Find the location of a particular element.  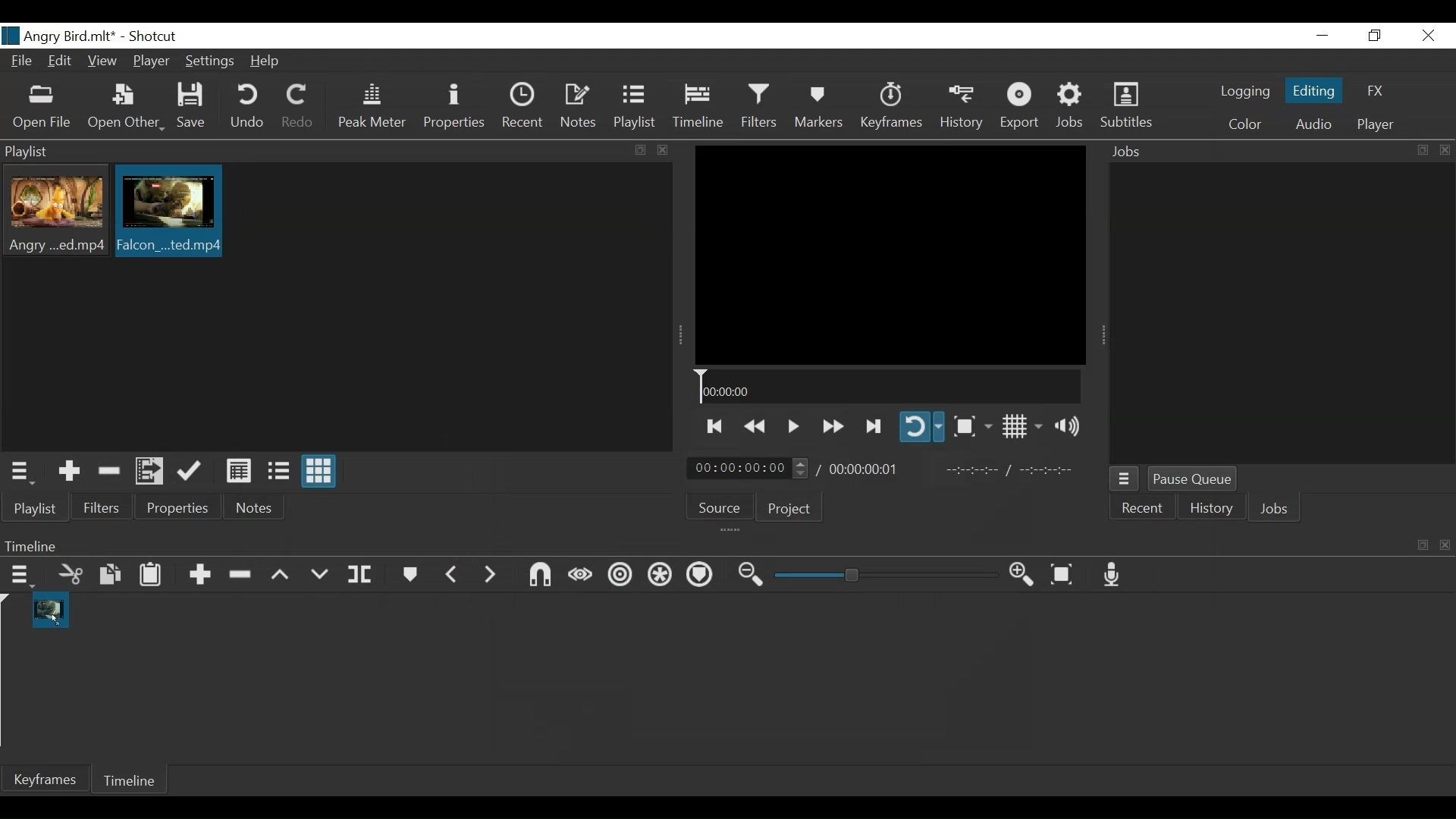

copy is located at coordinates (1423, 546).